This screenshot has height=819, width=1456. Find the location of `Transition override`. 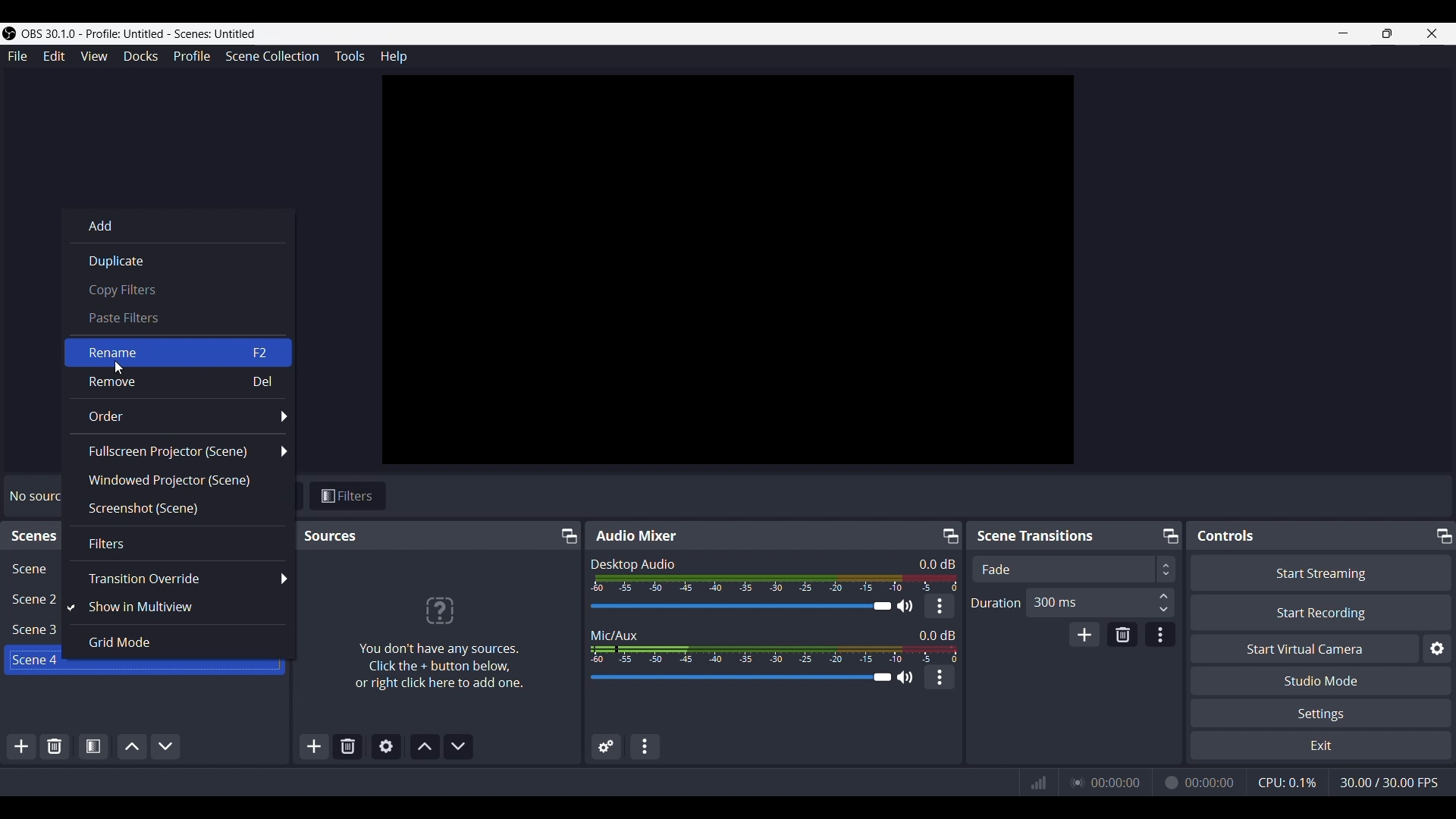

Transition override is located at coordinates (188, 577).